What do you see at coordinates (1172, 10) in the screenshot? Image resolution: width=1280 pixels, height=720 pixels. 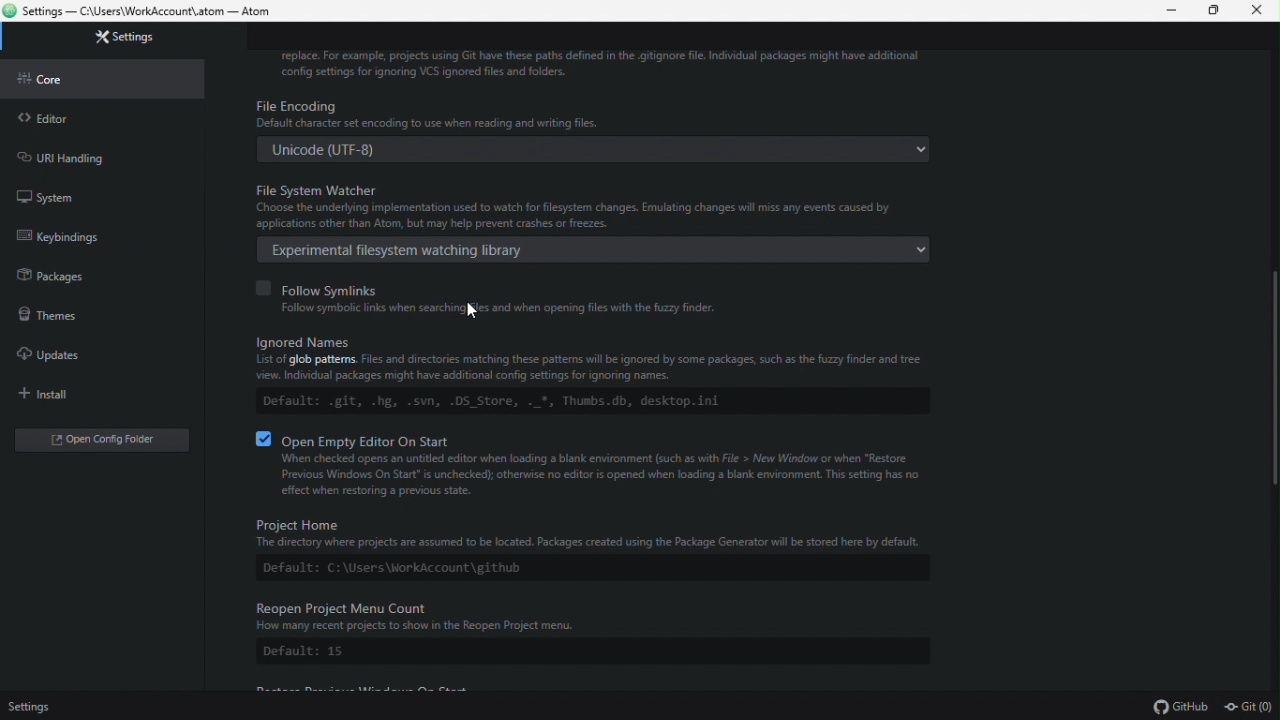 I see `Minimize` at bounding box center [1172, 10].